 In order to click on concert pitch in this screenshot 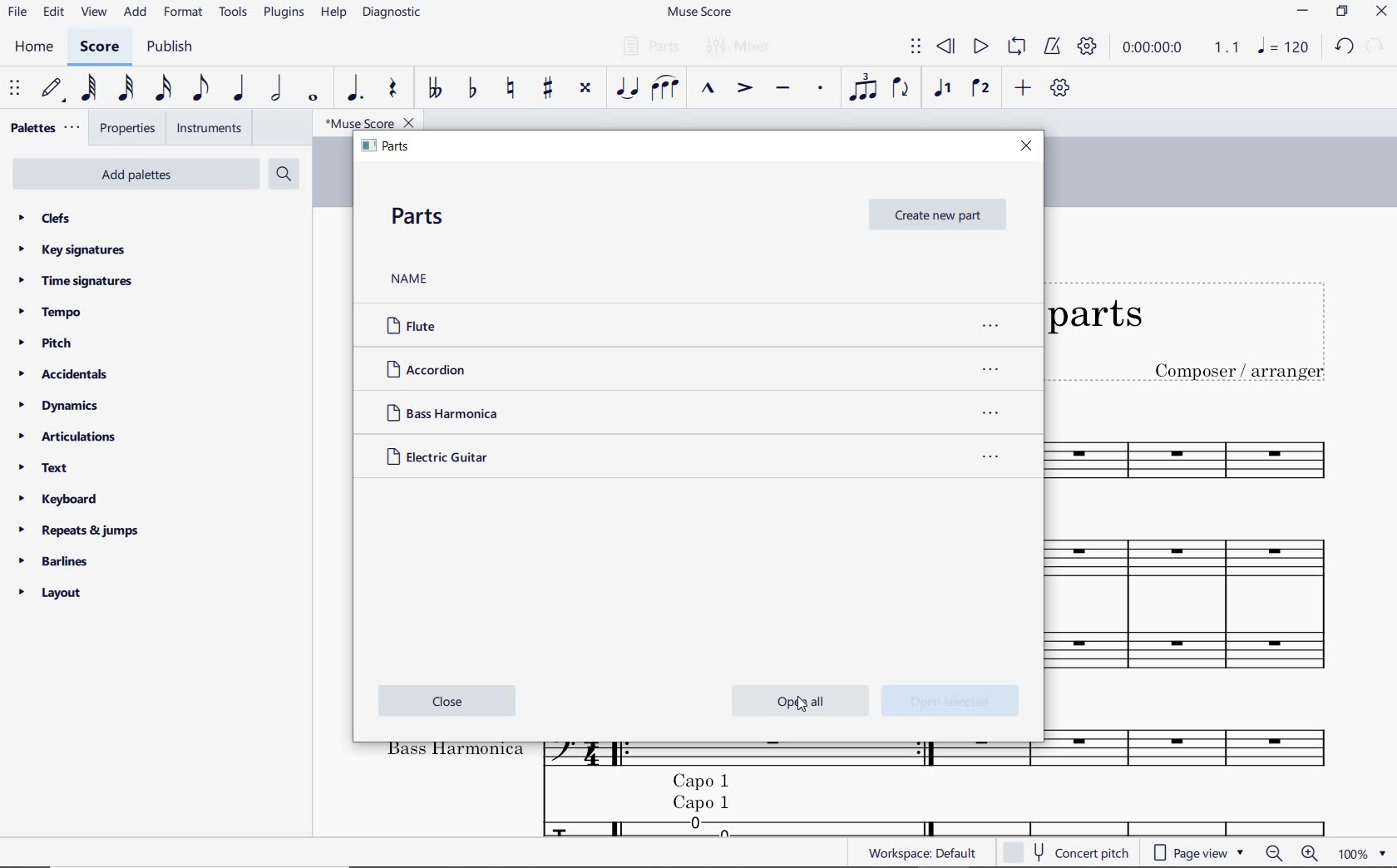, I will do `click(1077, 851)`.